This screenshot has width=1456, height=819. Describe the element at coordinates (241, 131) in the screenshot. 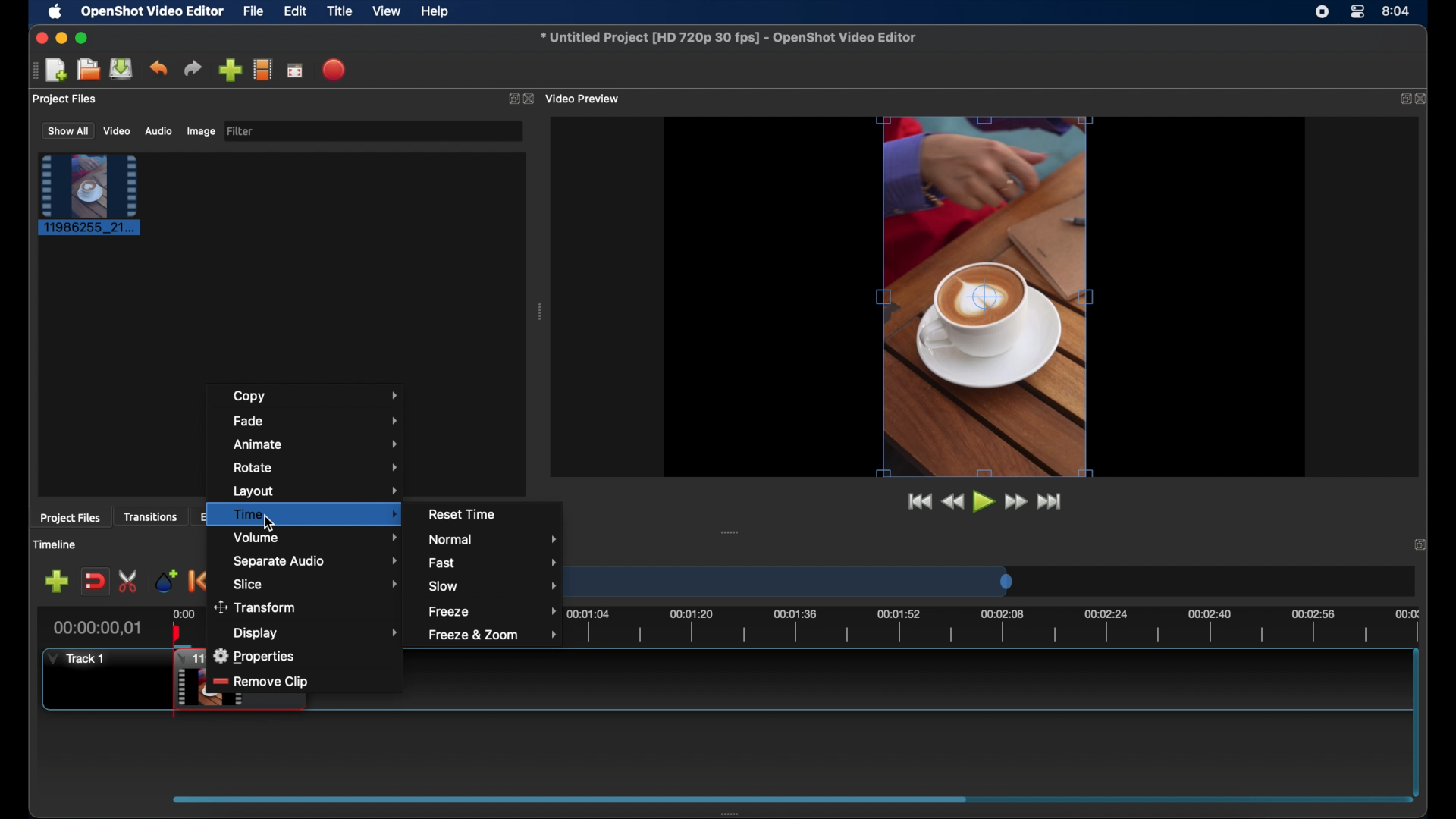

I see `filter` at that location.